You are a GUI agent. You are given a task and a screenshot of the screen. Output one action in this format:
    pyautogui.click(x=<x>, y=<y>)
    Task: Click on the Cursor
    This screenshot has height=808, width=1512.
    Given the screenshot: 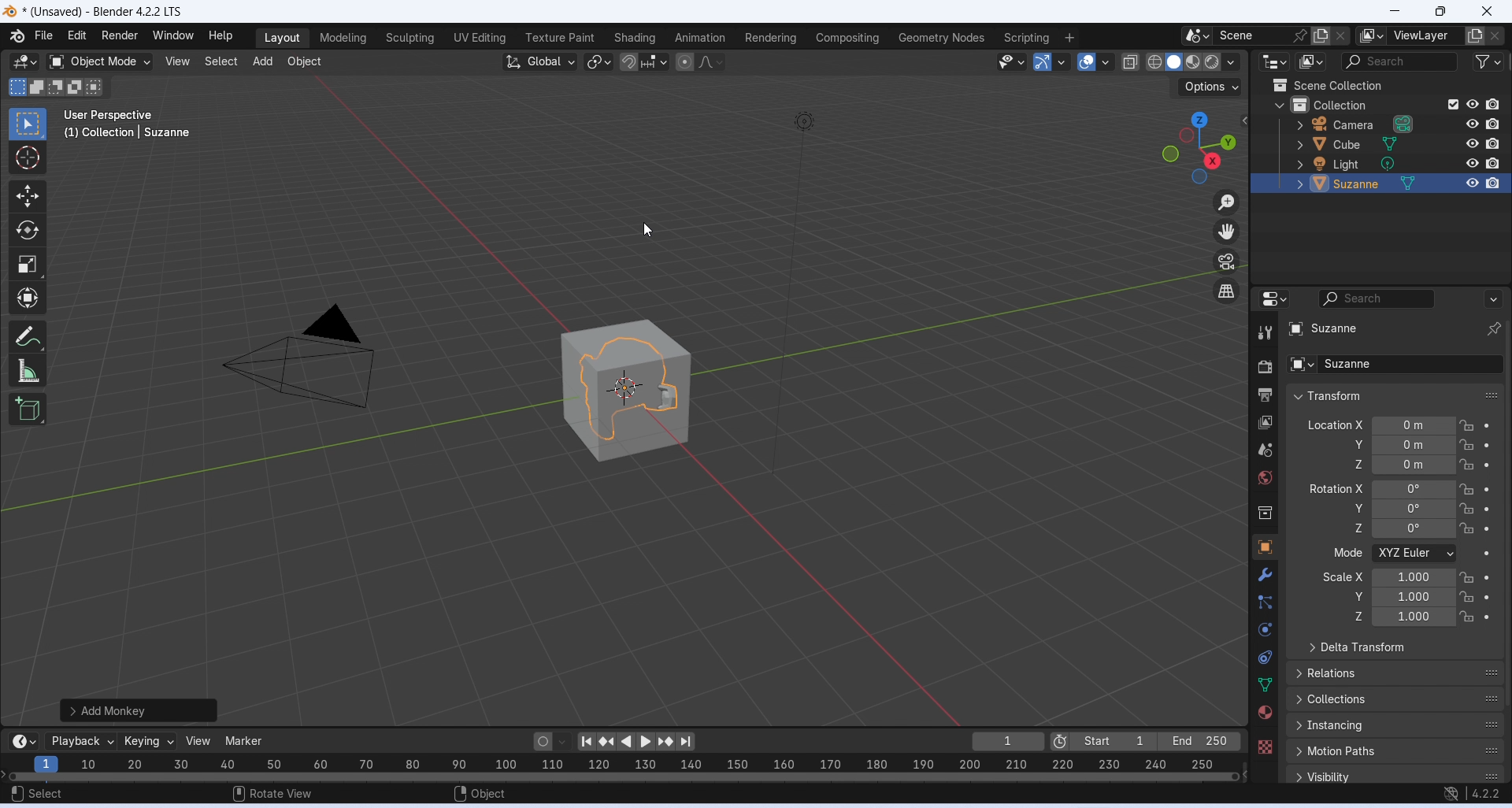 What is the action you would take?
    pyautogui.click(x=27, y=158)
    